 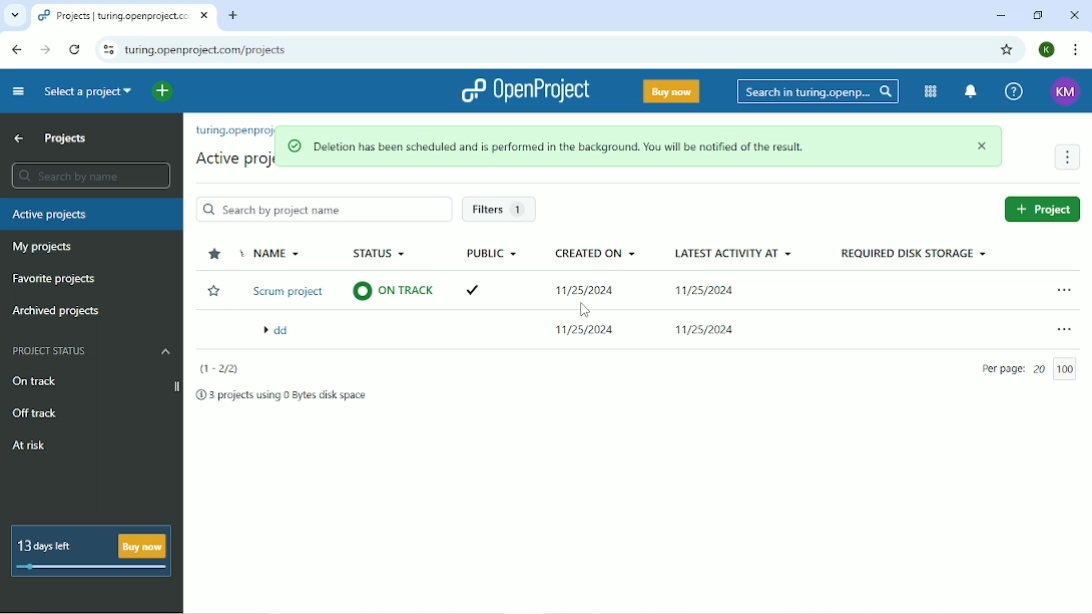 What do you see at coordinates (1013, 92) in the screenshot?
I see `Help` at bounding box center [1013, 92].